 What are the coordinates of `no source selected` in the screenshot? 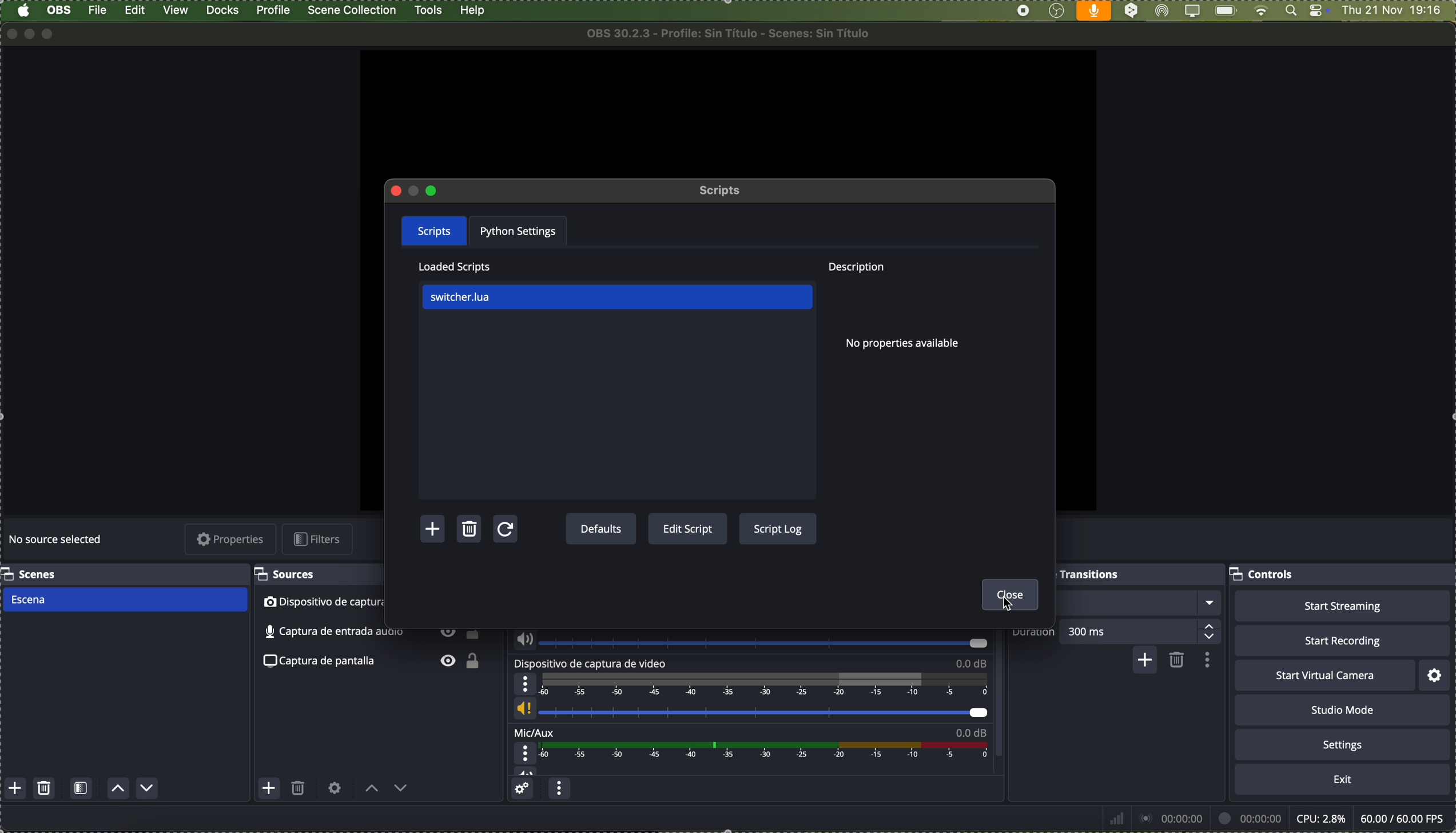 It's located at (57, 541).